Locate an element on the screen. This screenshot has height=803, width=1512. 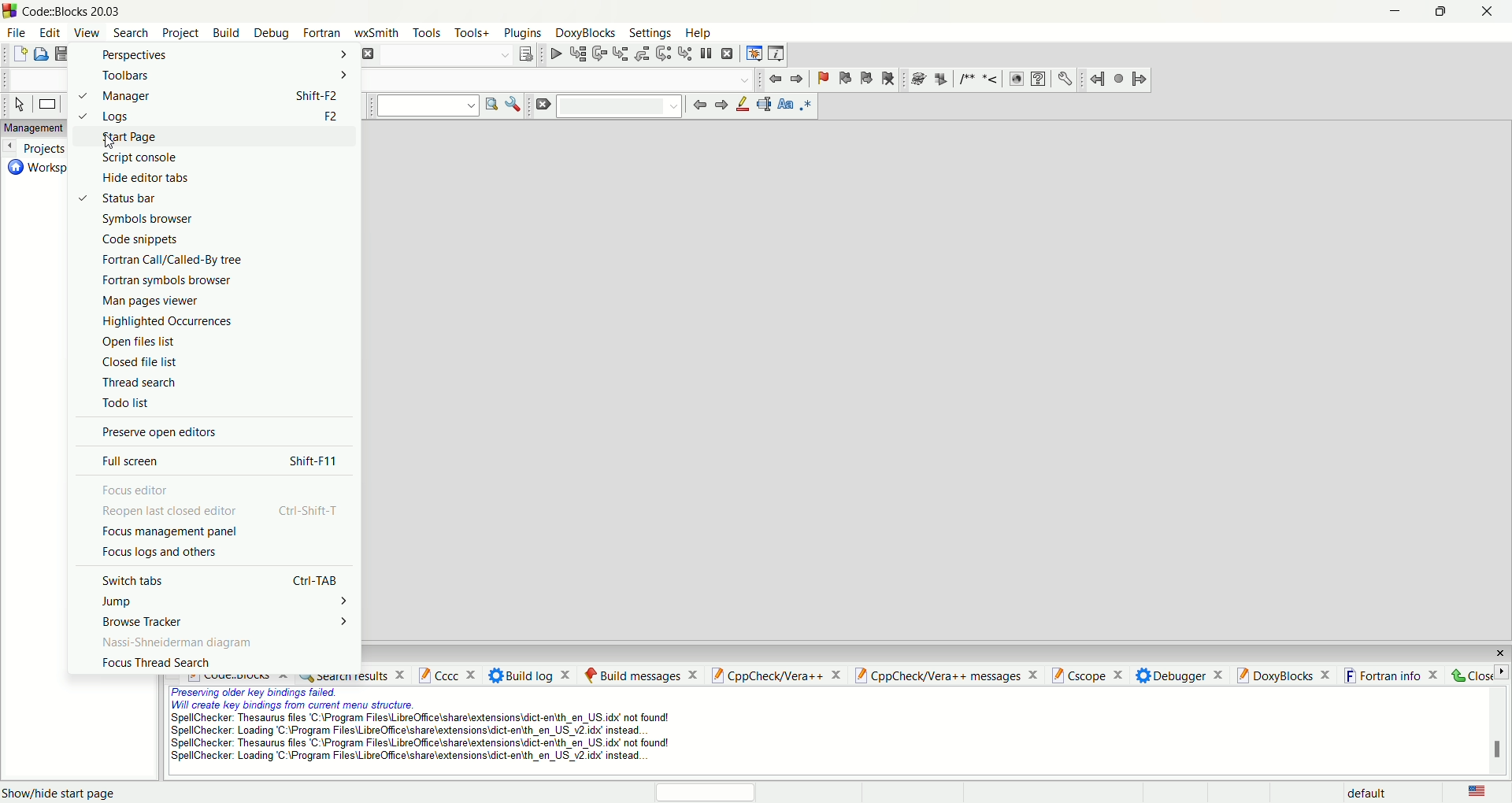
break debugger is located at coordinates (708, 53).